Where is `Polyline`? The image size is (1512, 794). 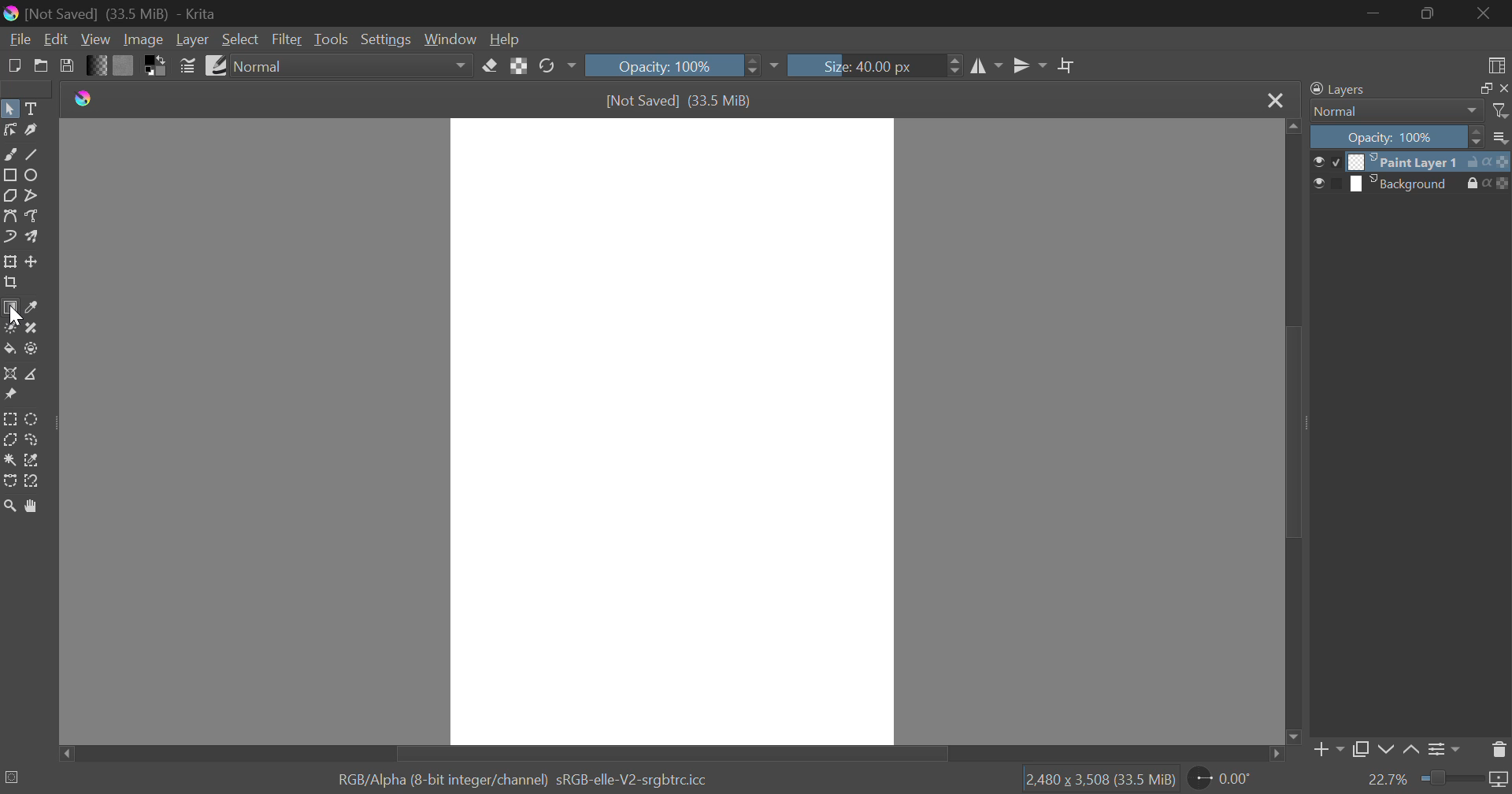 Polyline is located at coordinates (30, 194).